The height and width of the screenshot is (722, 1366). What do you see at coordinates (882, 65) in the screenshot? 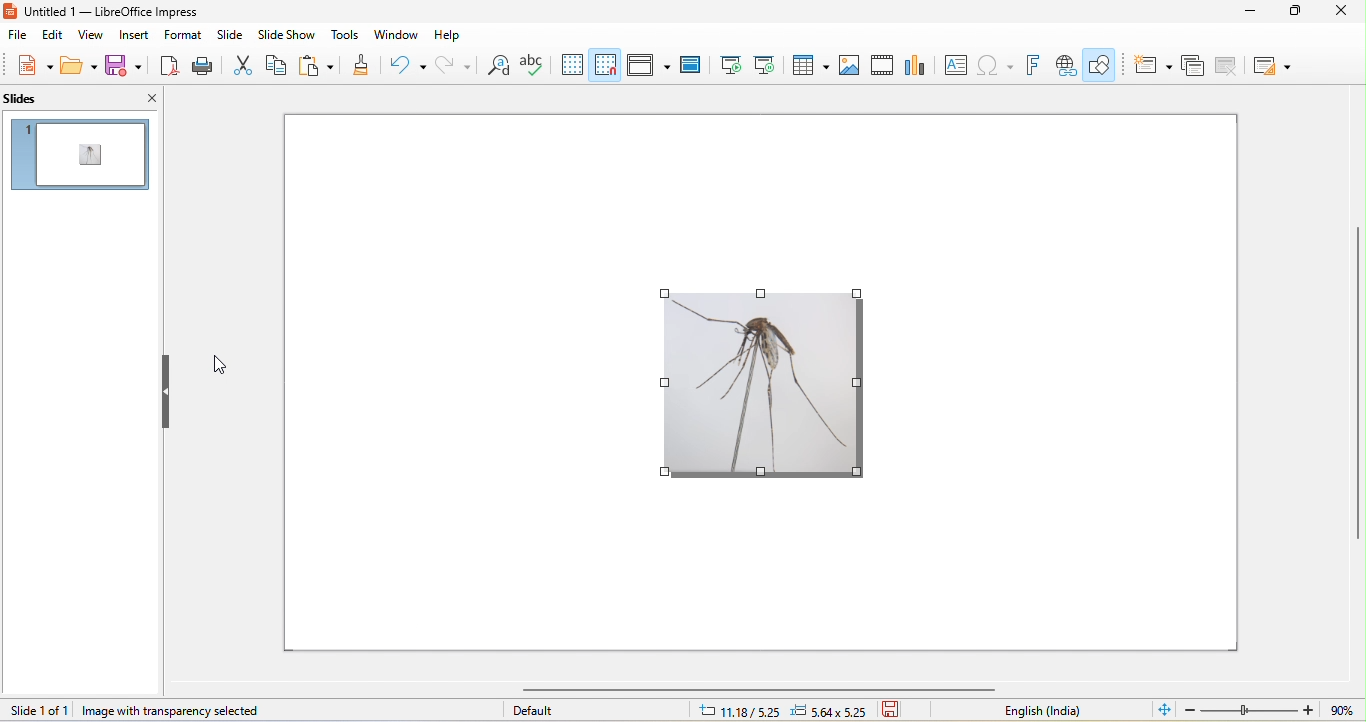
I see `media` at bounding box center [882, 65].